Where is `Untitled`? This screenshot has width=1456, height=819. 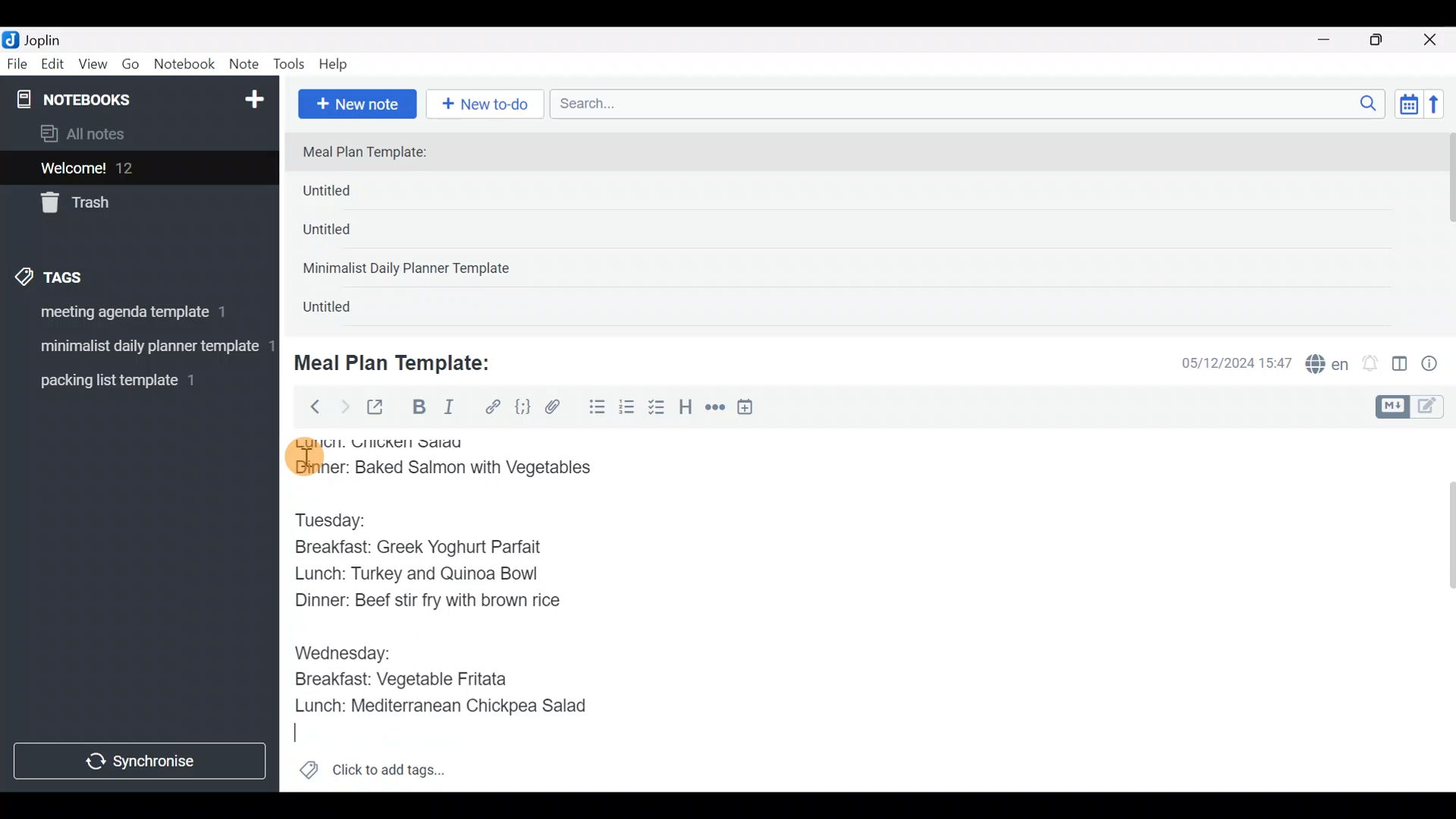 Untitled is located at coordinates (347, 234).